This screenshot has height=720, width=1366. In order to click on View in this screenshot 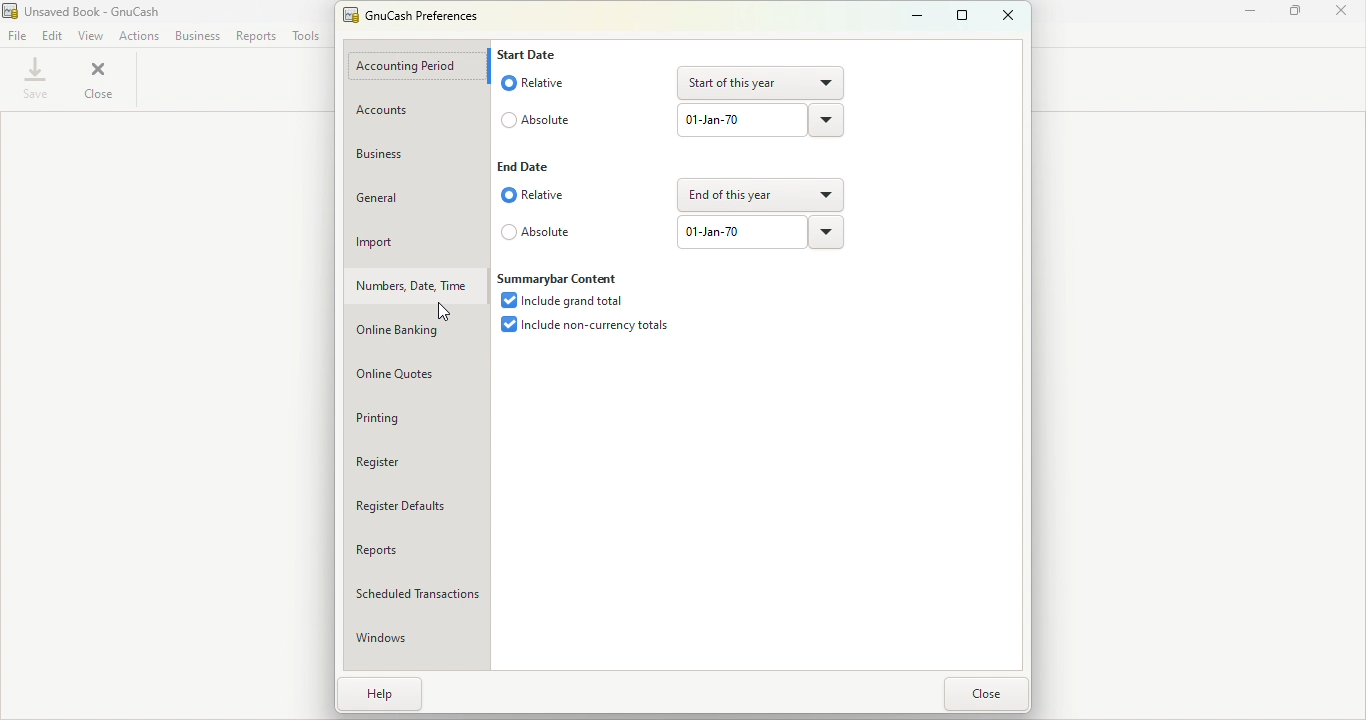, I will do `click(93, 35)`.